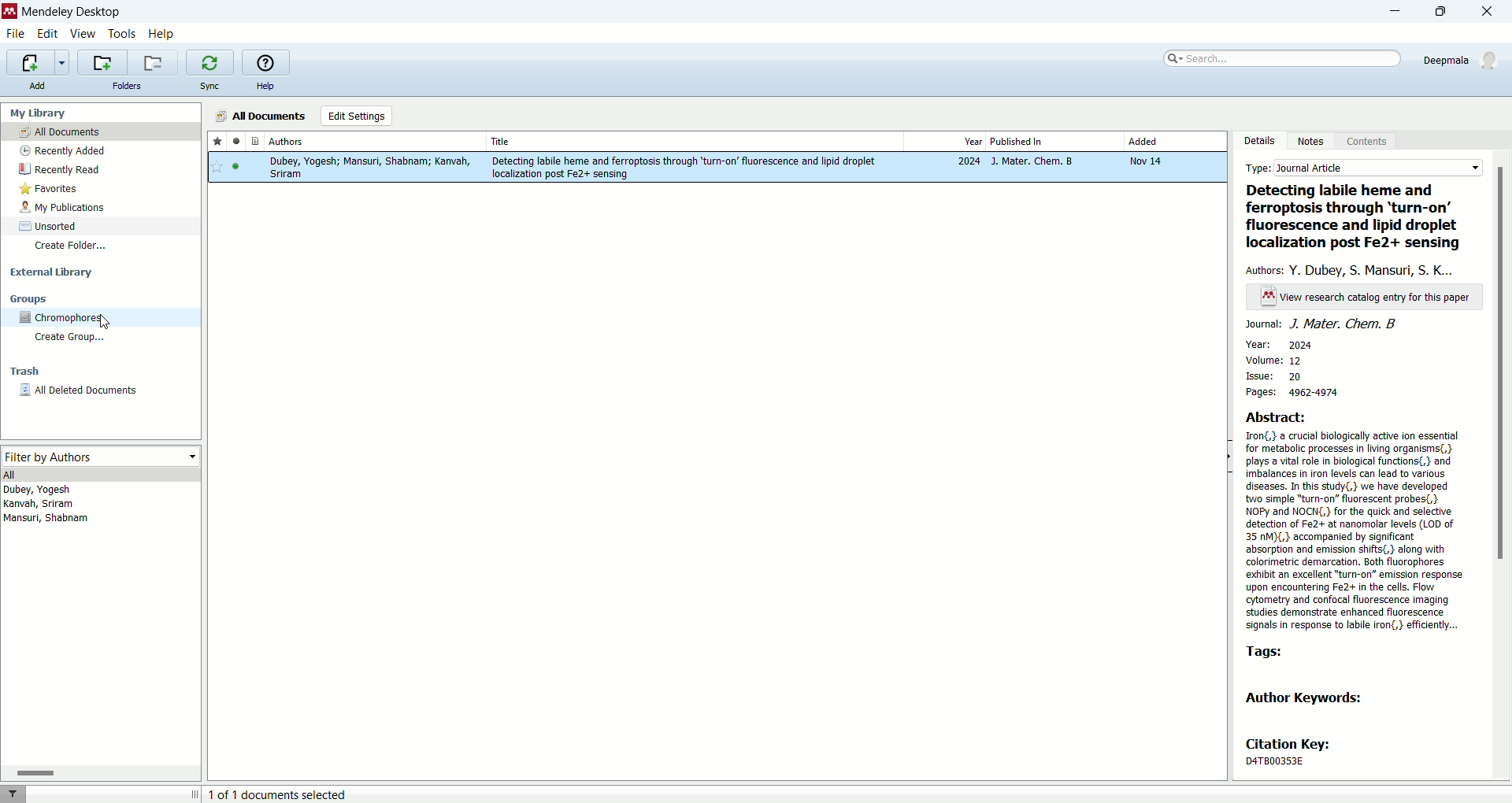 This screenshot has height=803, width=1512. I want to click on Author Keywords:, so click(1310, 698).